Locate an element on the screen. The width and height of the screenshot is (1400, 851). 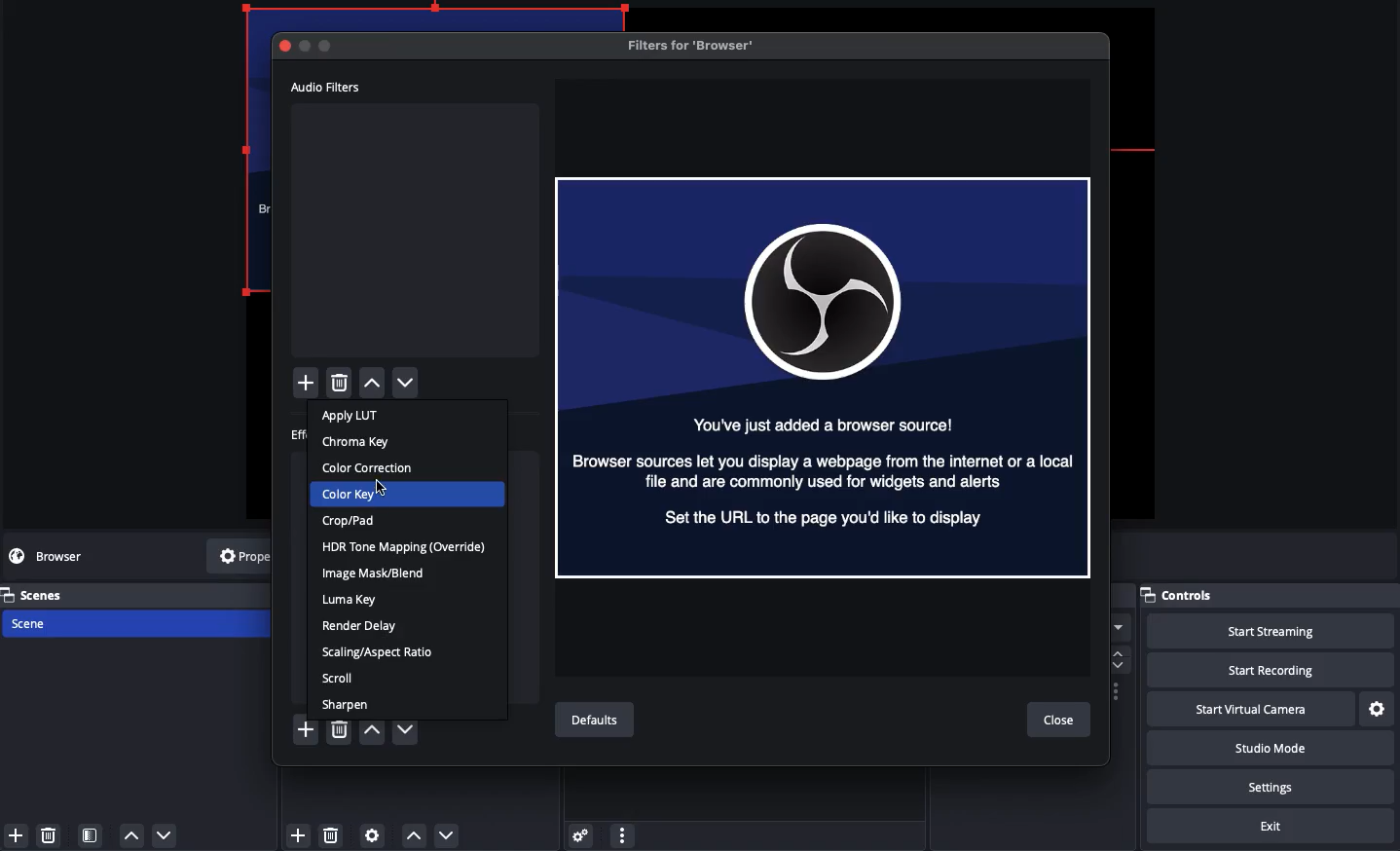
Settings is located at coordinates (1376, 710).